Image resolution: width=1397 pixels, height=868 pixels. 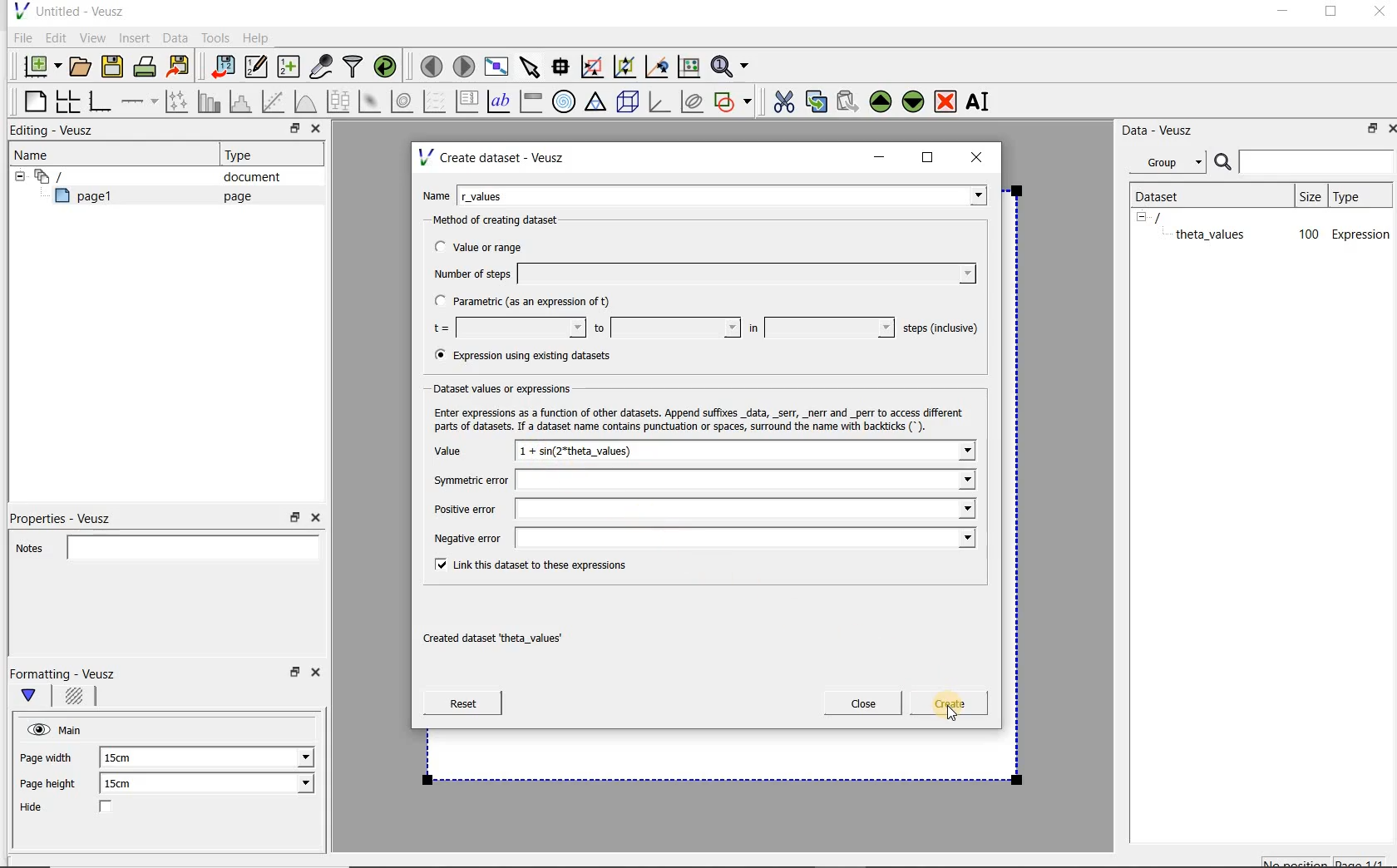 What do you see at coordinates (294, 785) in the screenshot?
I see `Page height dropdown` at bounding box center [294, 785].